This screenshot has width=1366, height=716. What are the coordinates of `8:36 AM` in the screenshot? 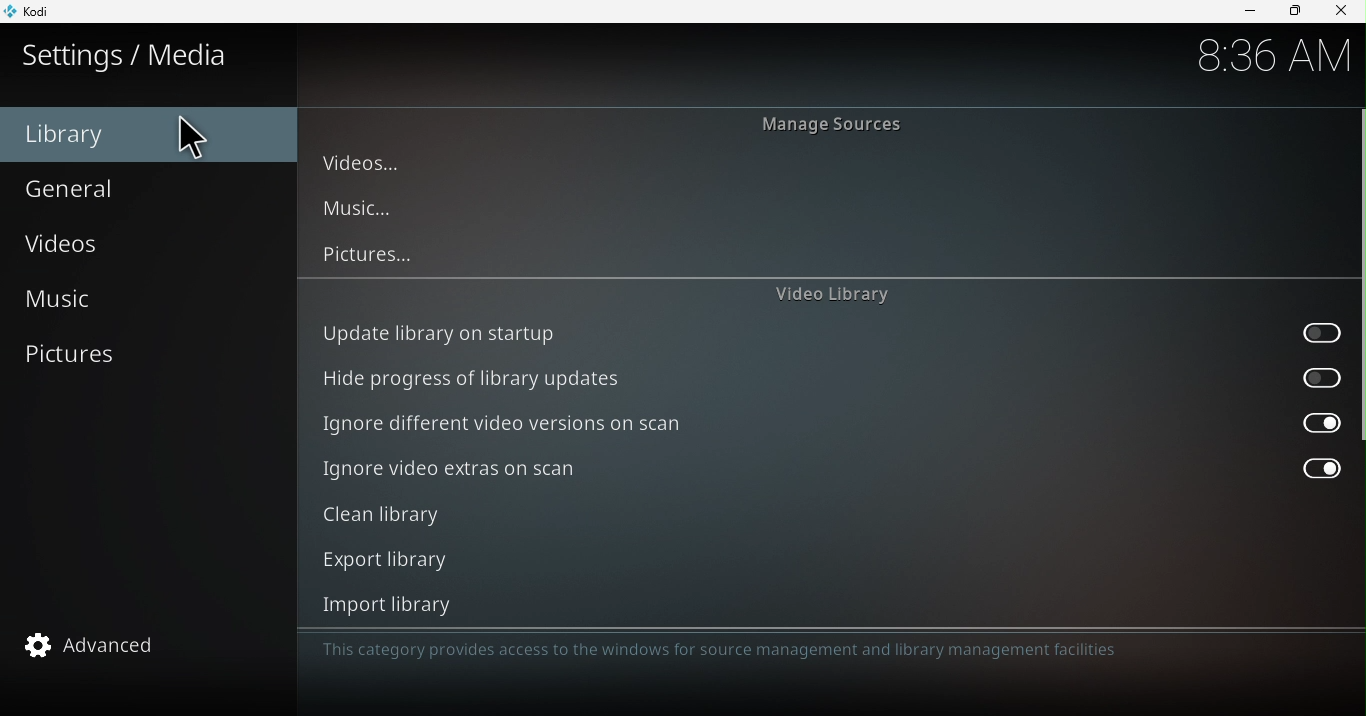 It's located at (1267, 57).